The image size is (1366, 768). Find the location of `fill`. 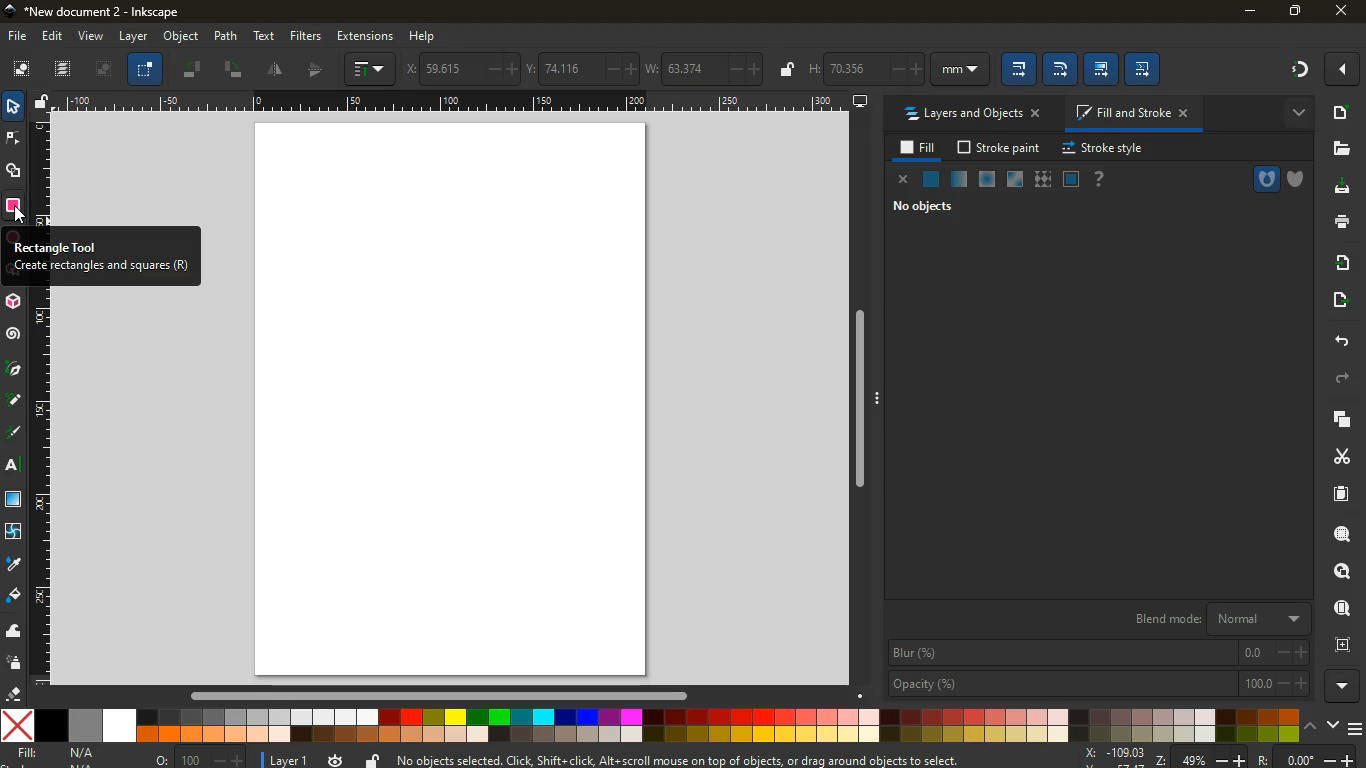

fill is located at coordinates (14, 594).